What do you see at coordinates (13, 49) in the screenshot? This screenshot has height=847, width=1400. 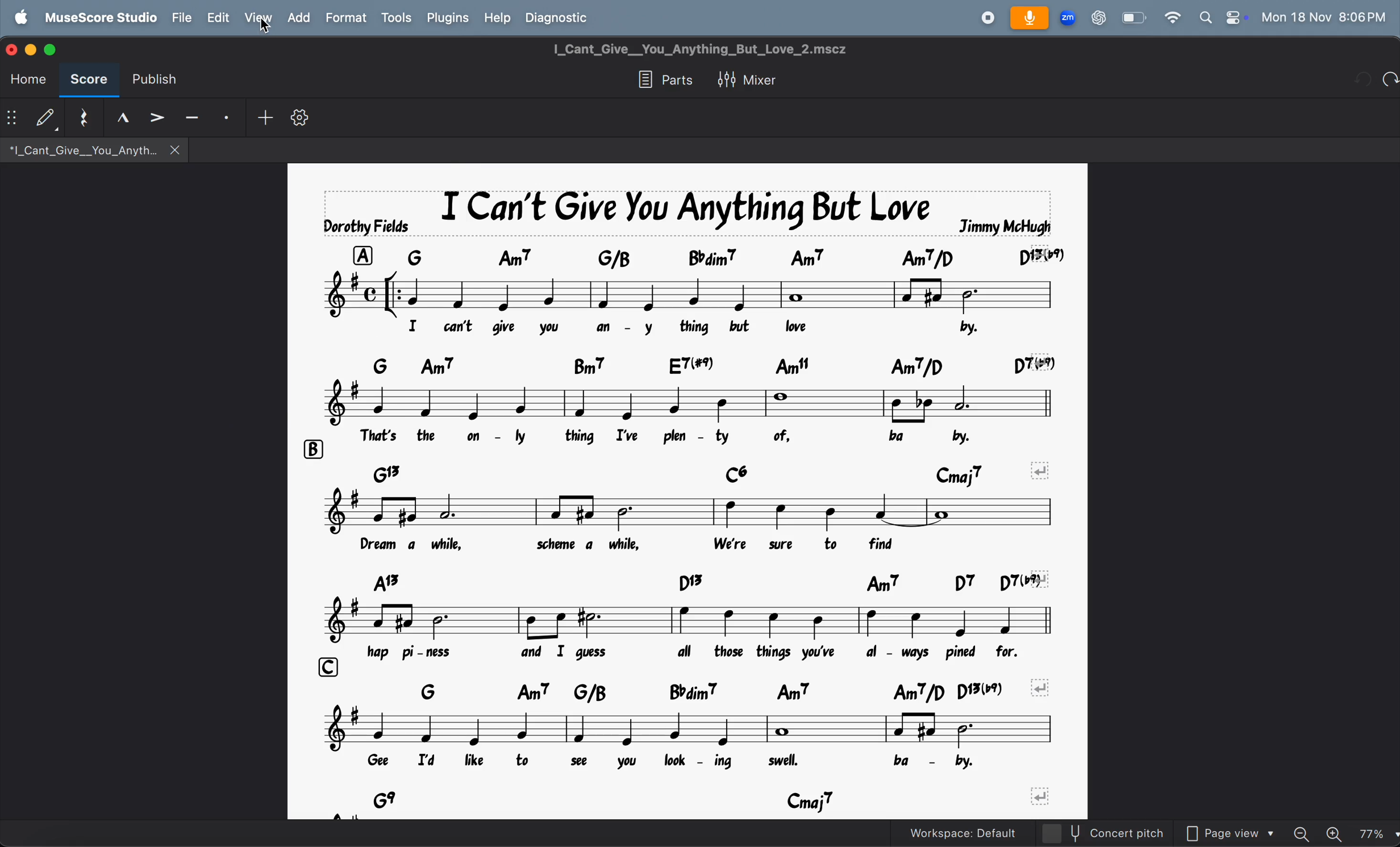 I see `close` at bounding box center [13, 49].